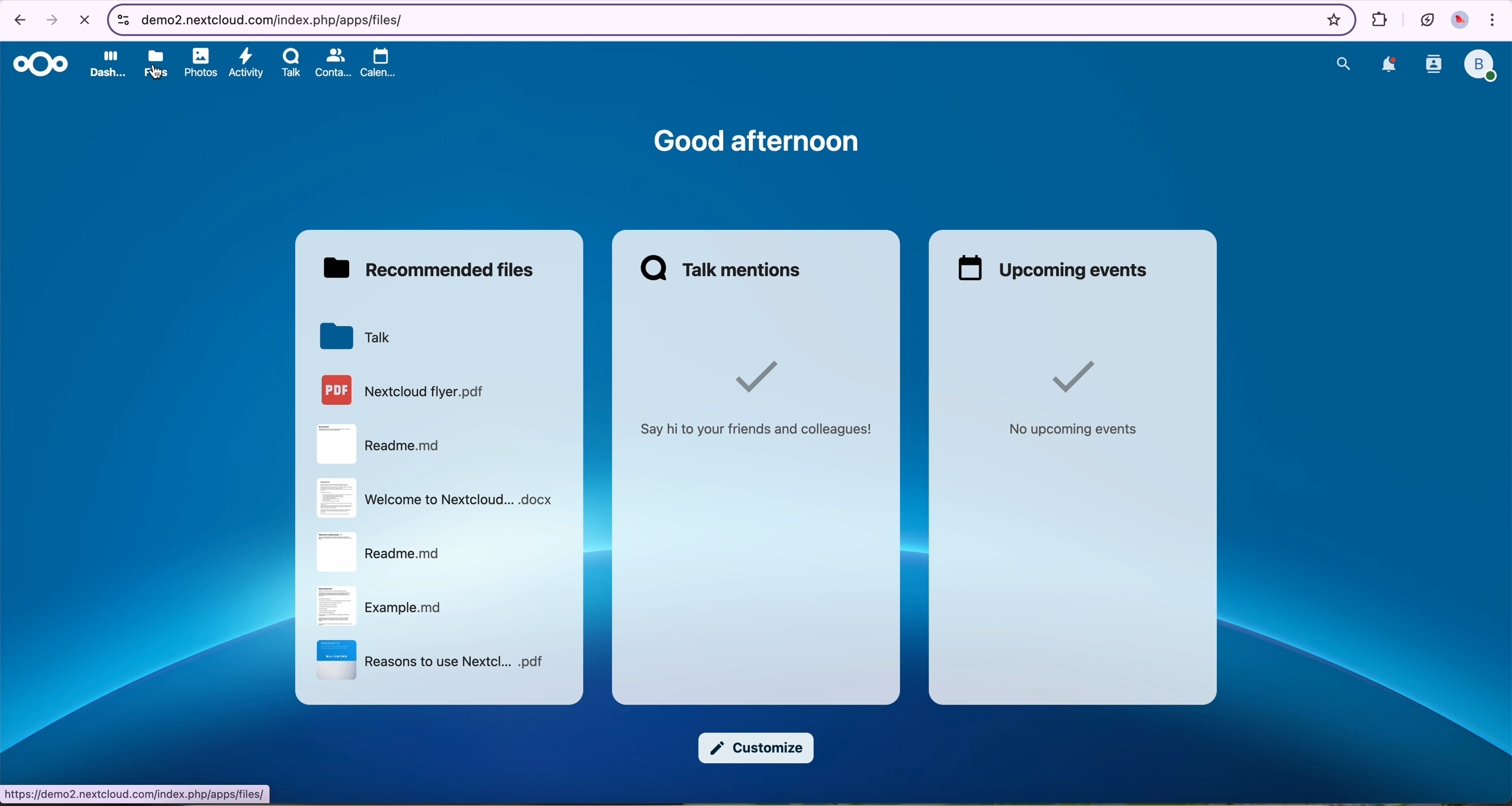 The height and width of the screenshot is (806, 1512). What do you see at coordinates (1331, 19) in the screenshot?
I see `favorites` at bounding box center [1331, 19].